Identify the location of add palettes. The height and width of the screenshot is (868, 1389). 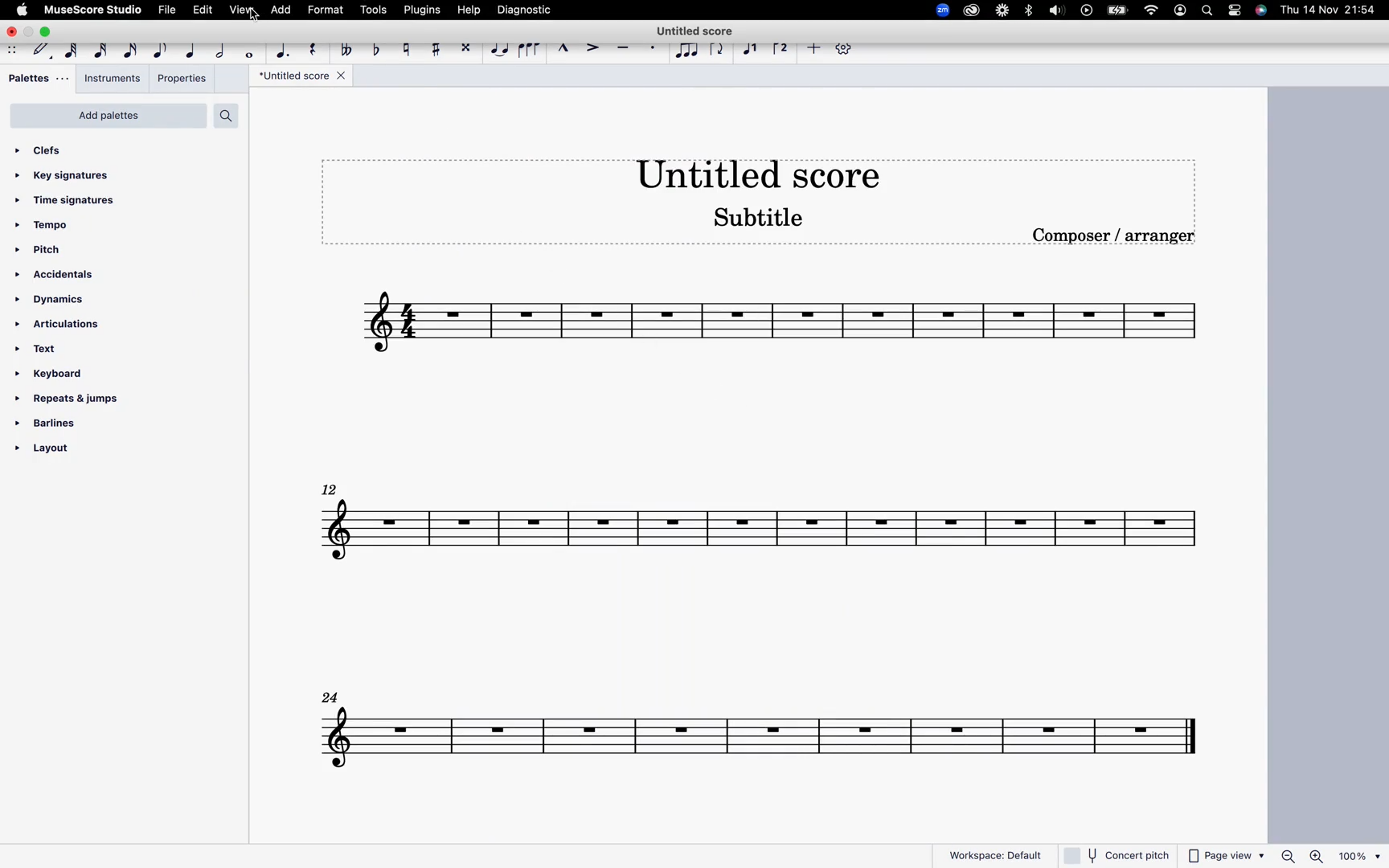
(109, 115).